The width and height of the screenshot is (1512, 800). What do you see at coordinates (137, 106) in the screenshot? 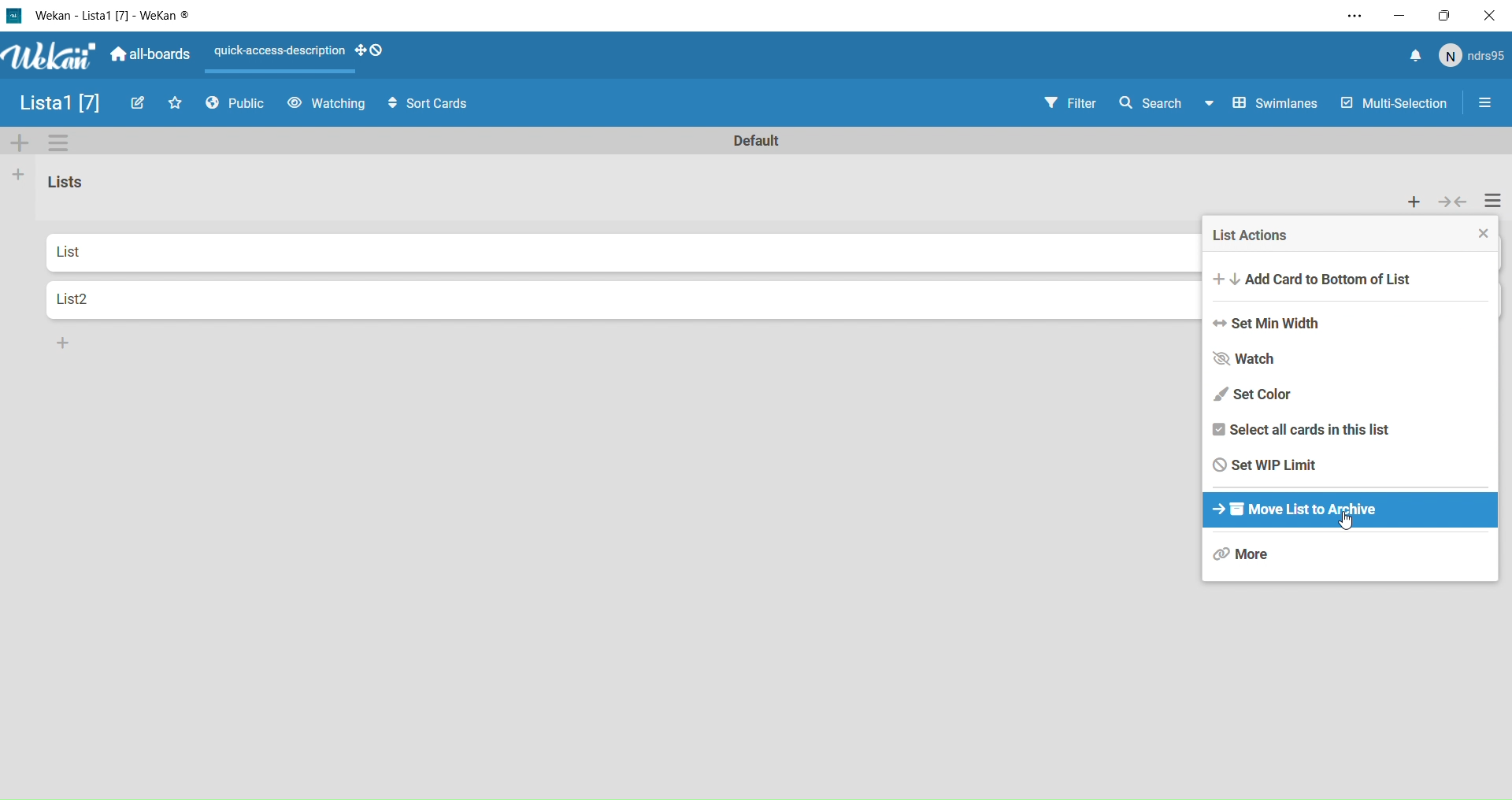
I see `Edit` at bounding box center [137, 106].